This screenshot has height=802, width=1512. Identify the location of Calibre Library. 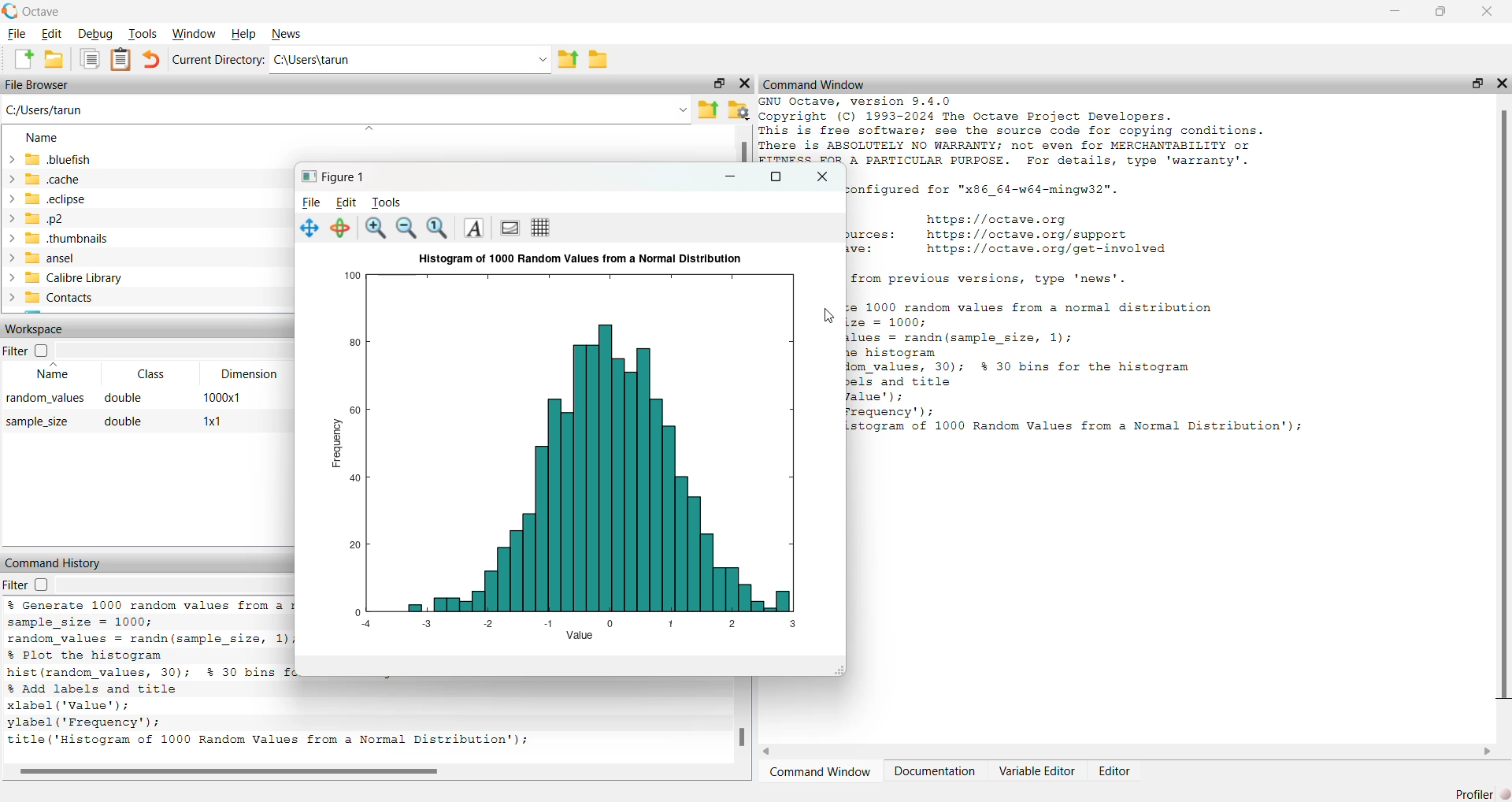
(63, 277).